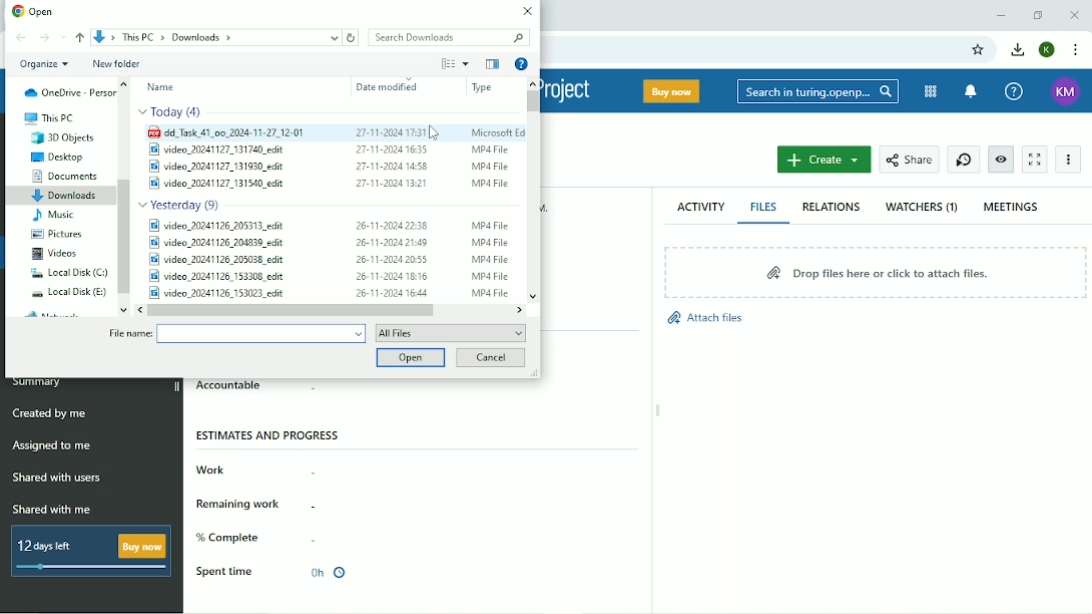  What do you see at coordinates (526, 11) in the screenshot?
I see `Close` at bounding box center [526, 11].